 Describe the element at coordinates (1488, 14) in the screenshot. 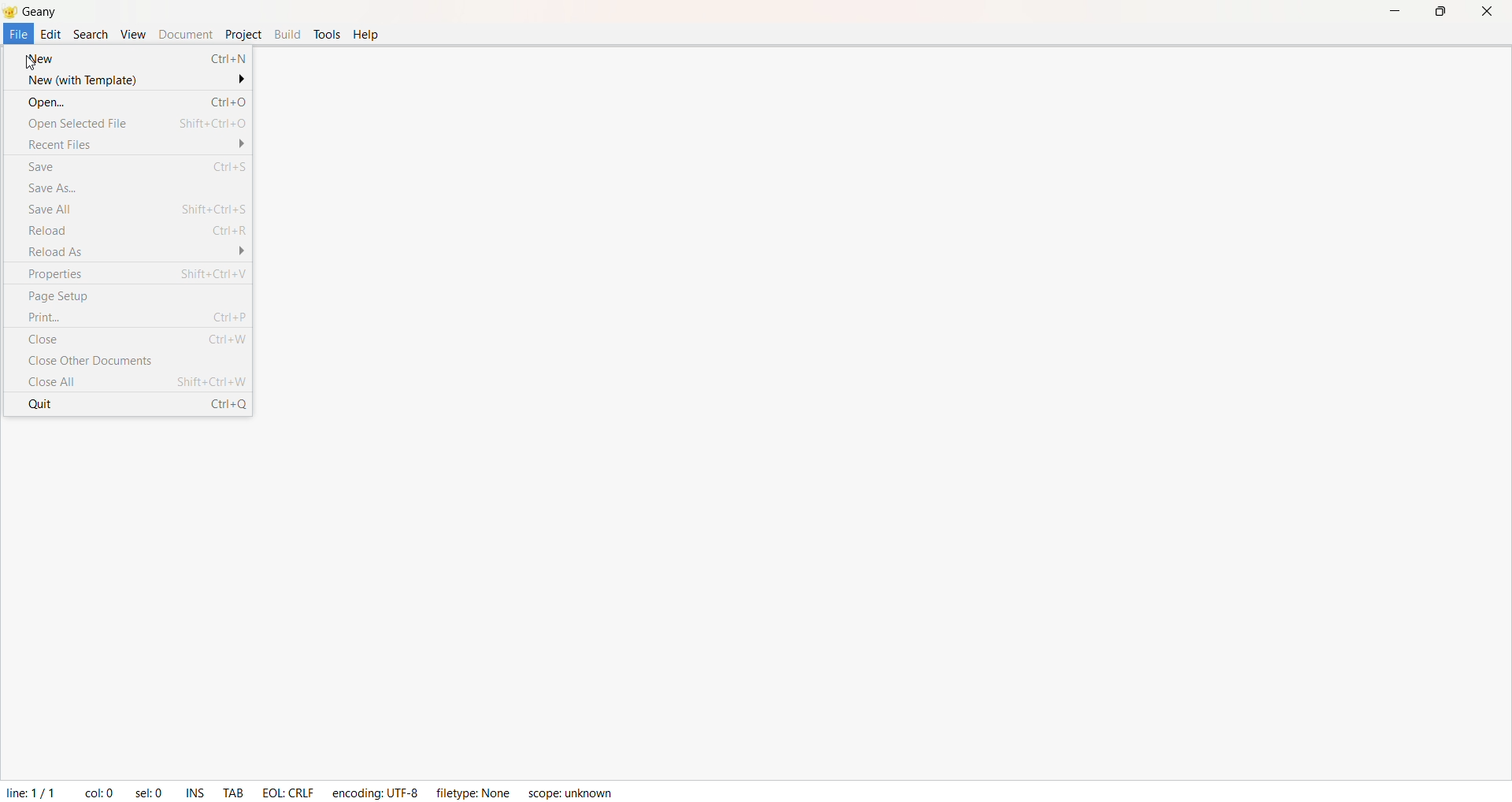

I see `Close` at that location.